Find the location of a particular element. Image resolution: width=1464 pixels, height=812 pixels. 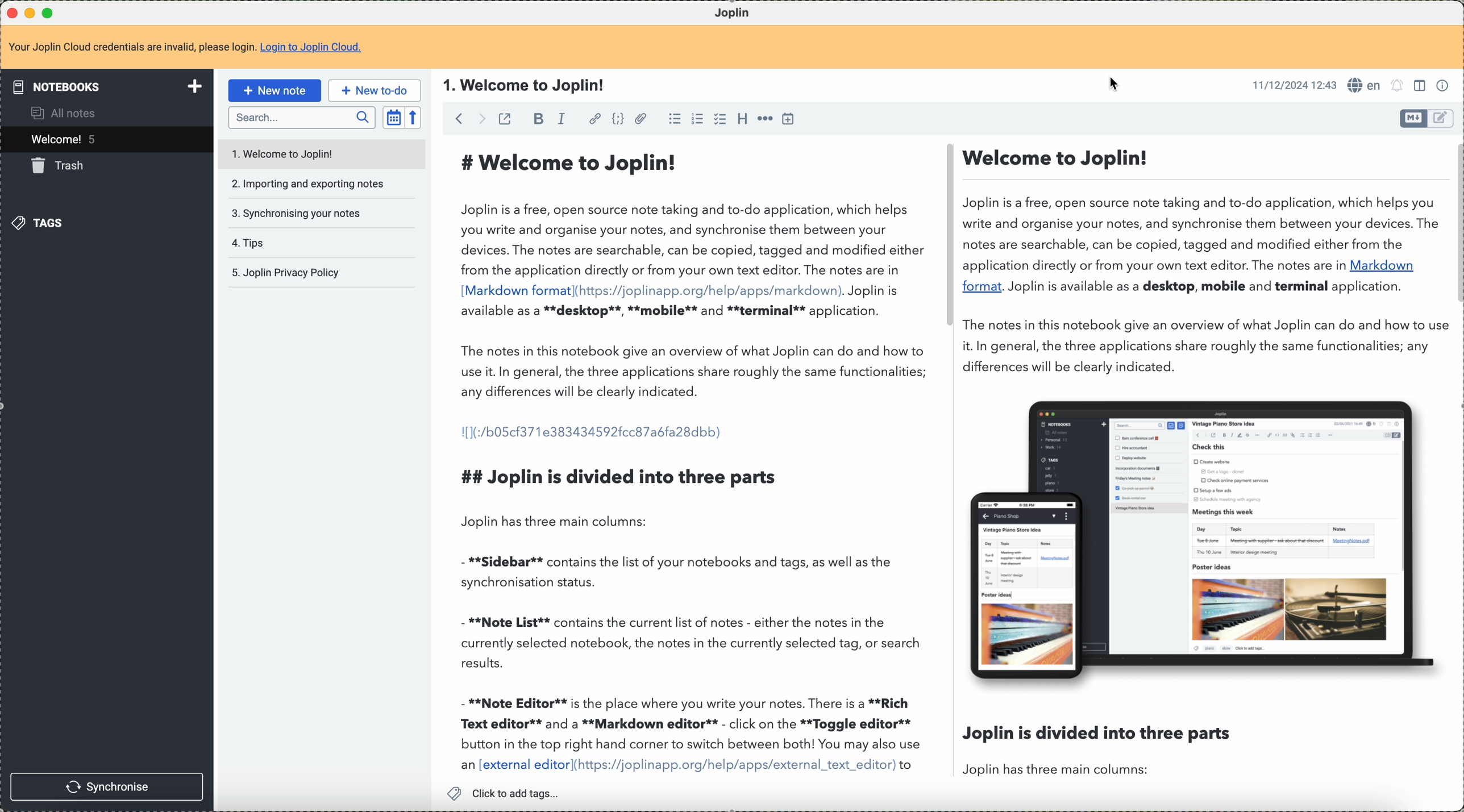

Joplin Mobile and Tab Experience is located at coordinates (1204, 538).